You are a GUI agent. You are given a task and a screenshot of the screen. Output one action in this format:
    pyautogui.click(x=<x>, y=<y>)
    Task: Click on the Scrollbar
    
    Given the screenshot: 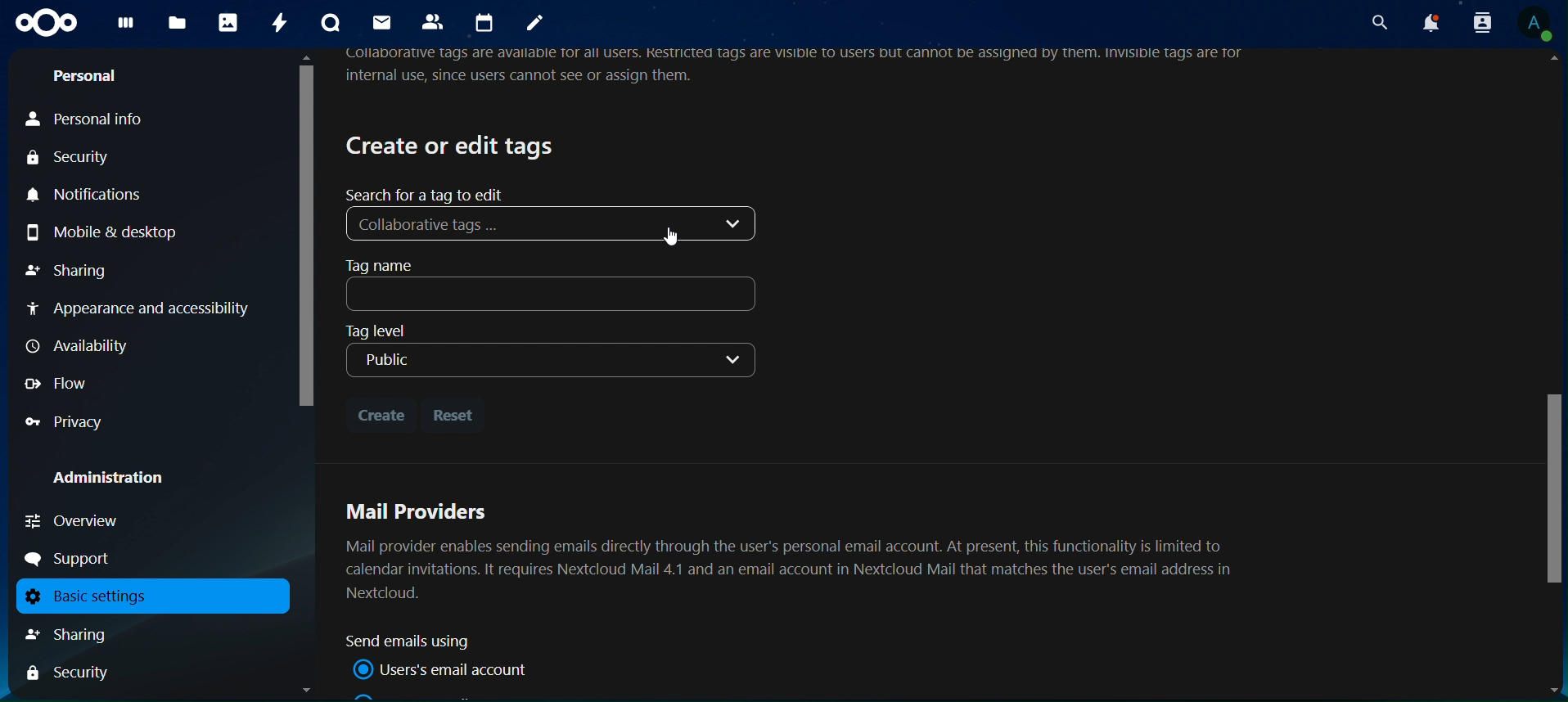 What is the action you would take?
    pyautogui.click(x=304, y=374)
    